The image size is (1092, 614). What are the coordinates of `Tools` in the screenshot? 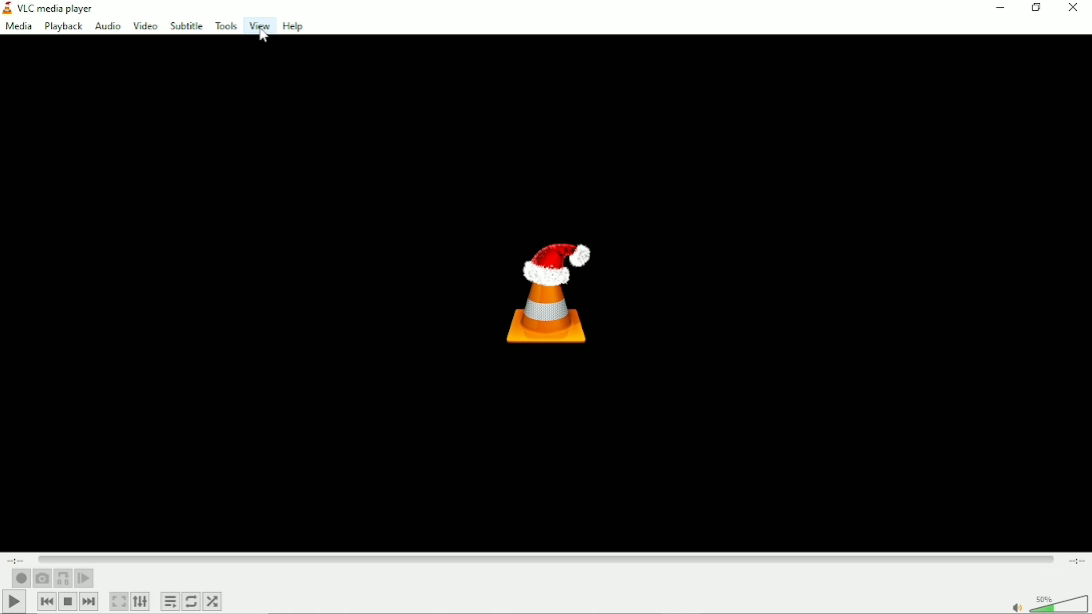 It's located at (226, 25).